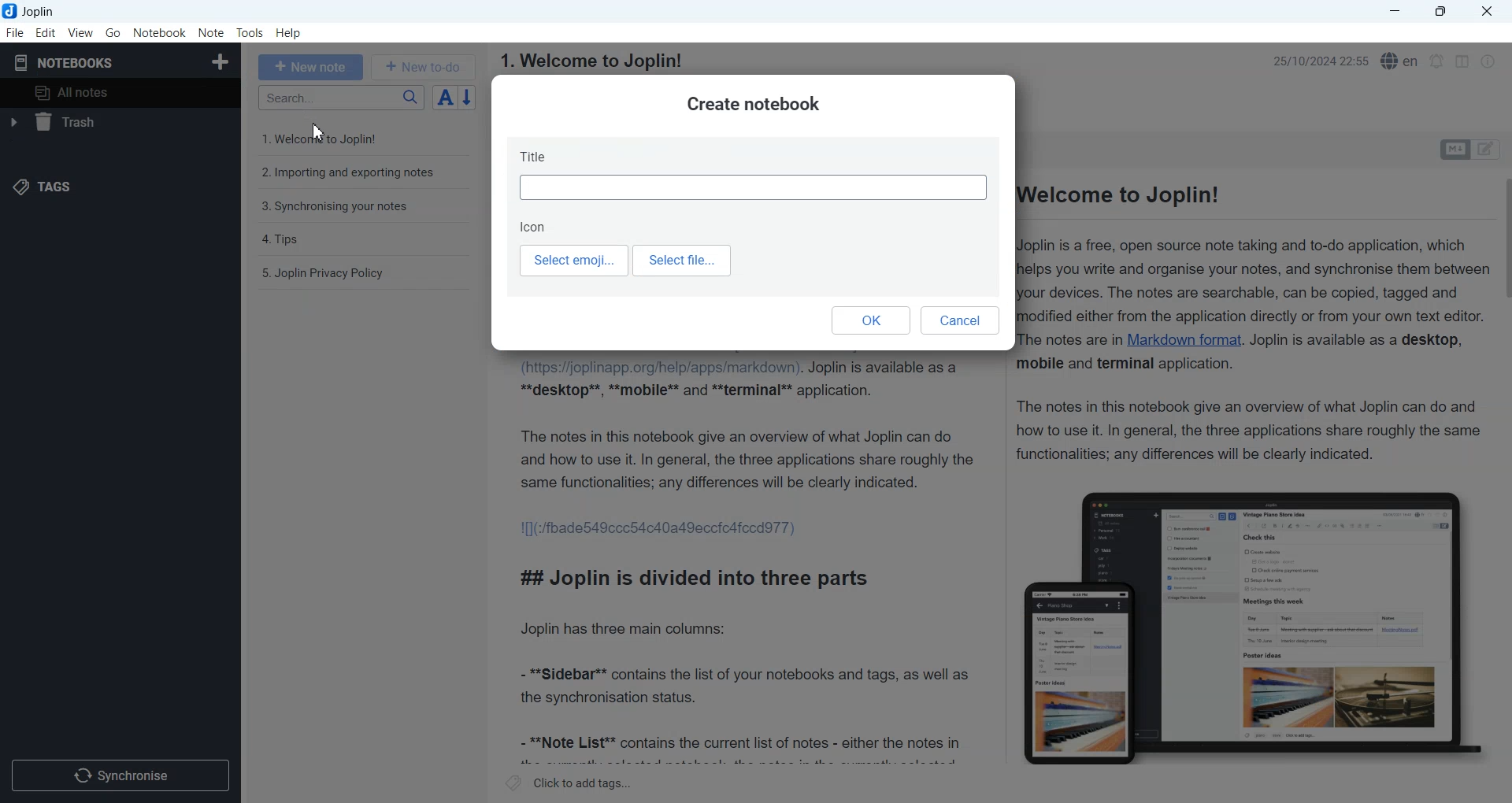 Image resolution: width=1512 pixels, height=803 pixels. I want to click on Tags, so click(41, 187).